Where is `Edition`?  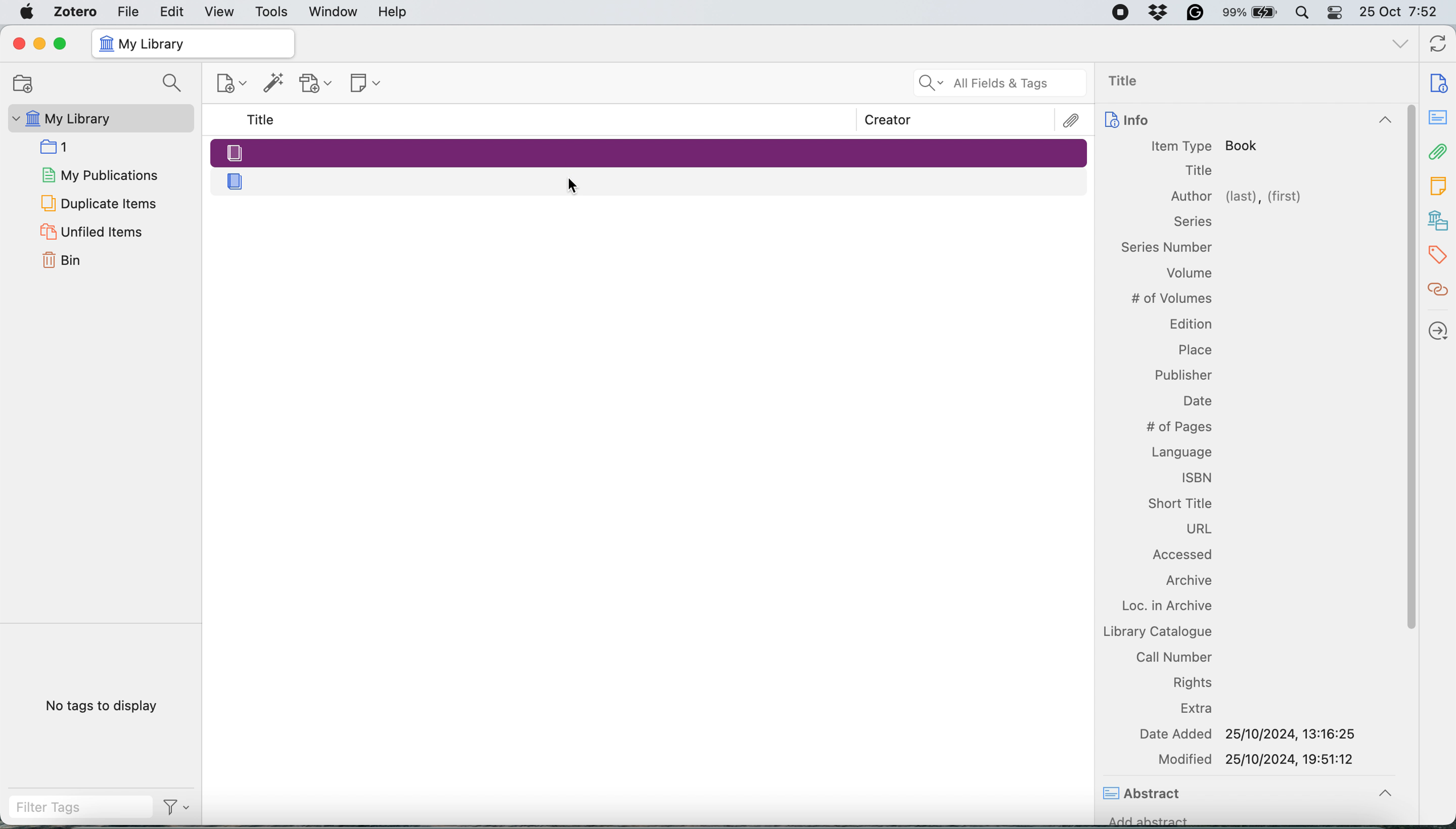 Edition is located at coordinates (1190, 323).